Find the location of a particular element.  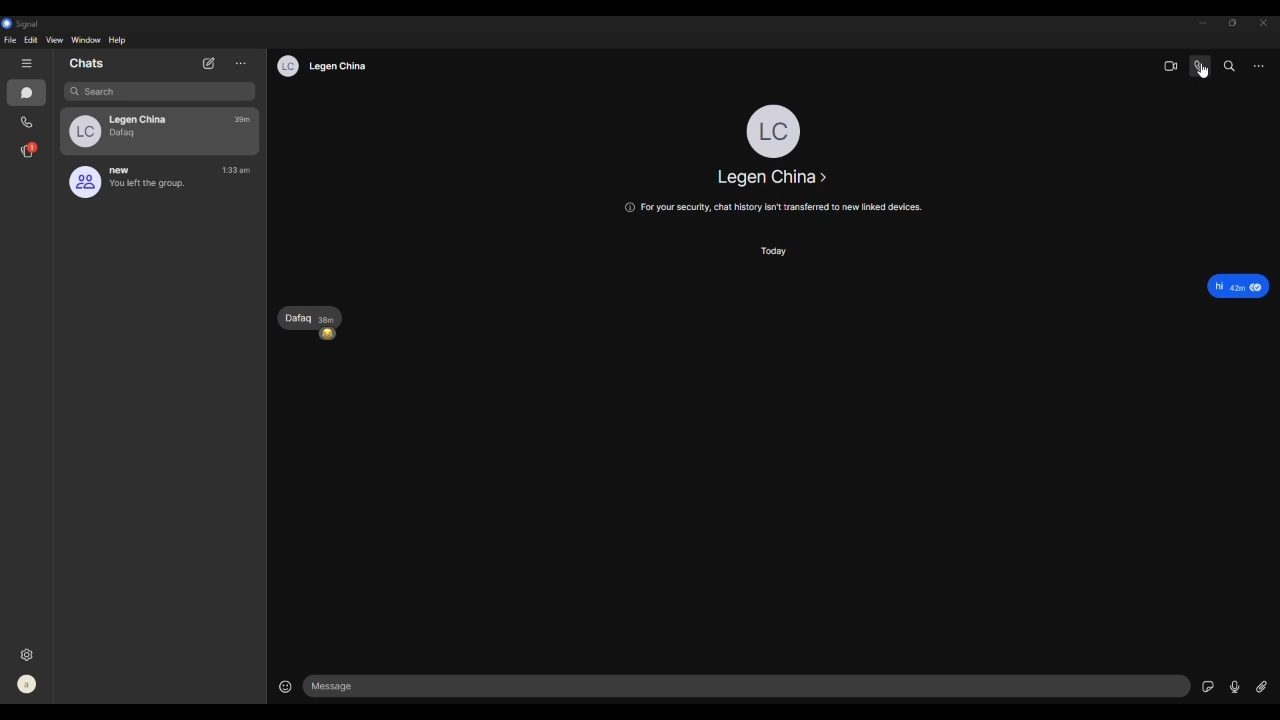

more is located at coordinates (242, 63).